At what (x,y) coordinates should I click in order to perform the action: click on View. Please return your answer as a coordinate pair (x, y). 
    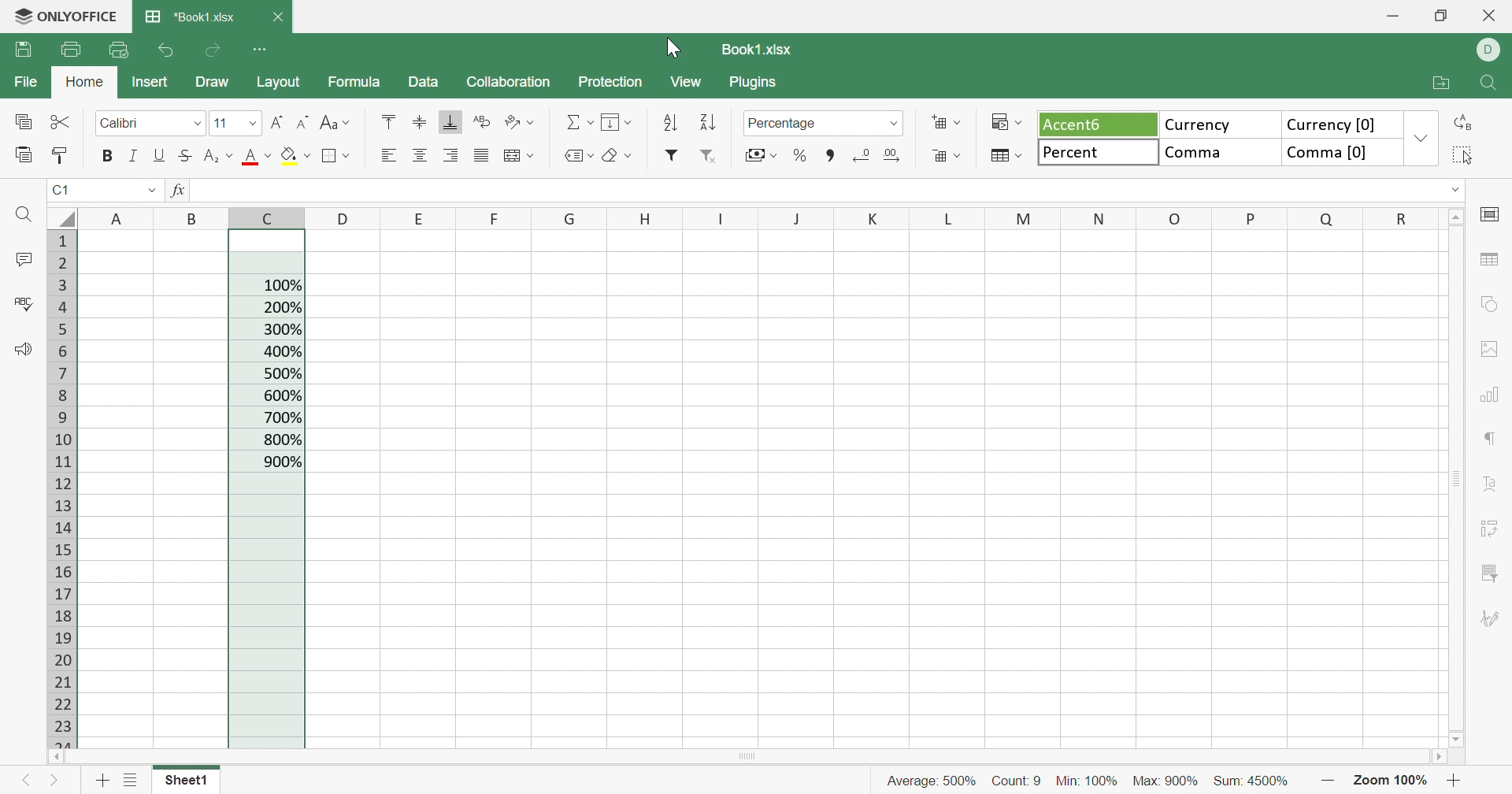
    Looking at the image, I should click on (686, 83).